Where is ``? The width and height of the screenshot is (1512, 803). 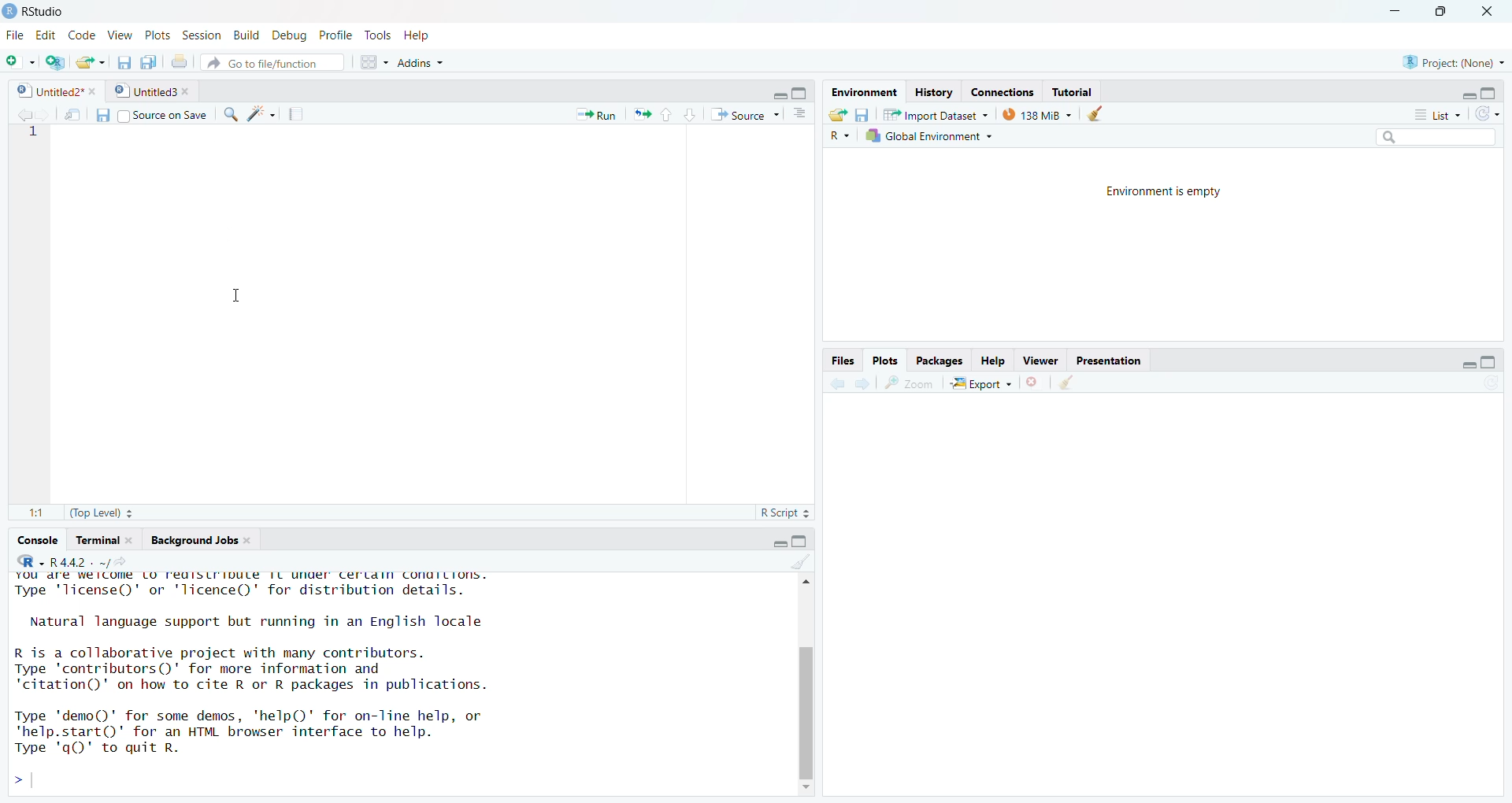
 is located at coordinates (74, 114).